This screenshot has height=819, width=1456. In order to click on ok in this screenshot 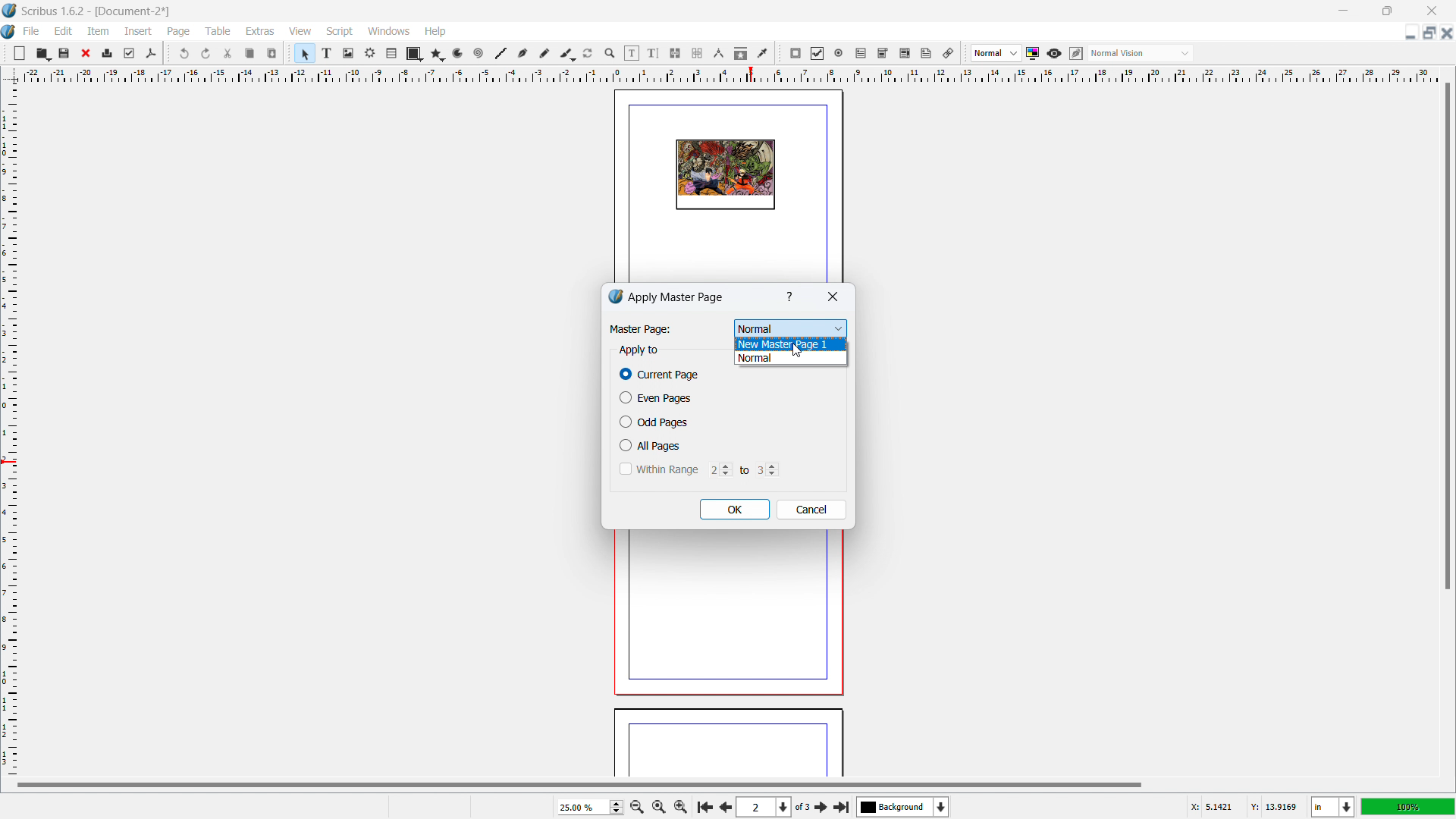, I will do `click(735, 510)`.